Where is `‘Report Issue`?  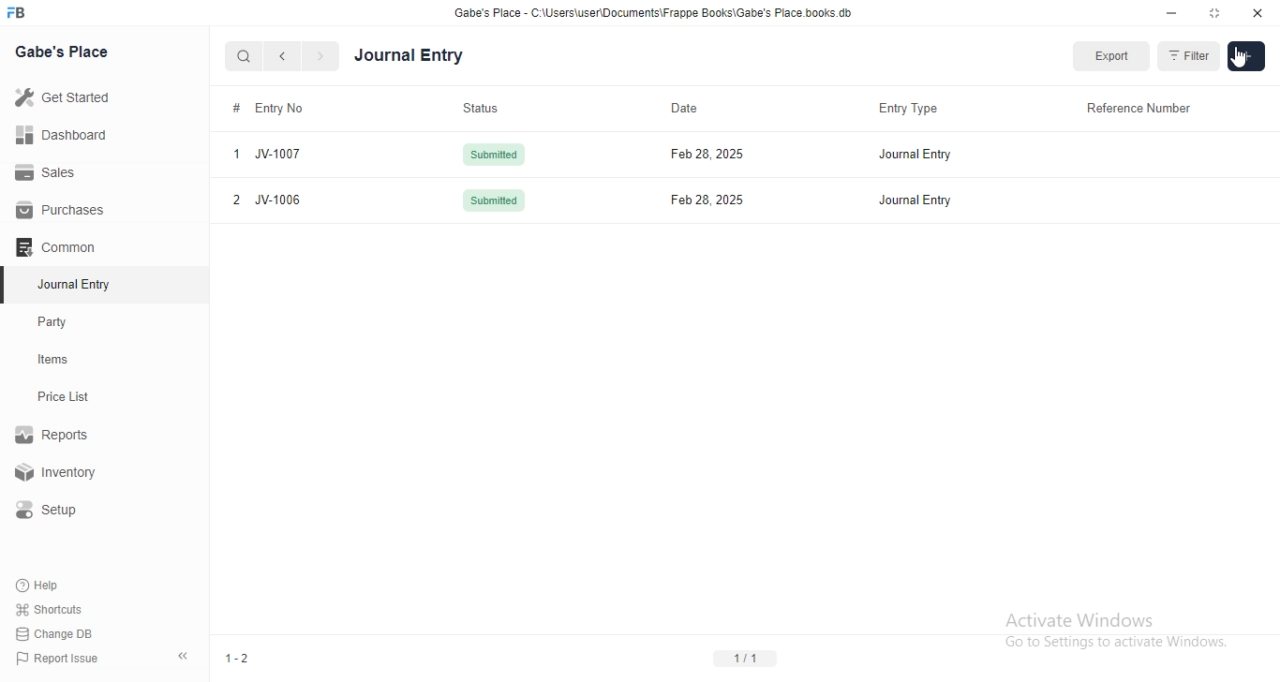
‘Report Issue is located at coordinates (55, 658).